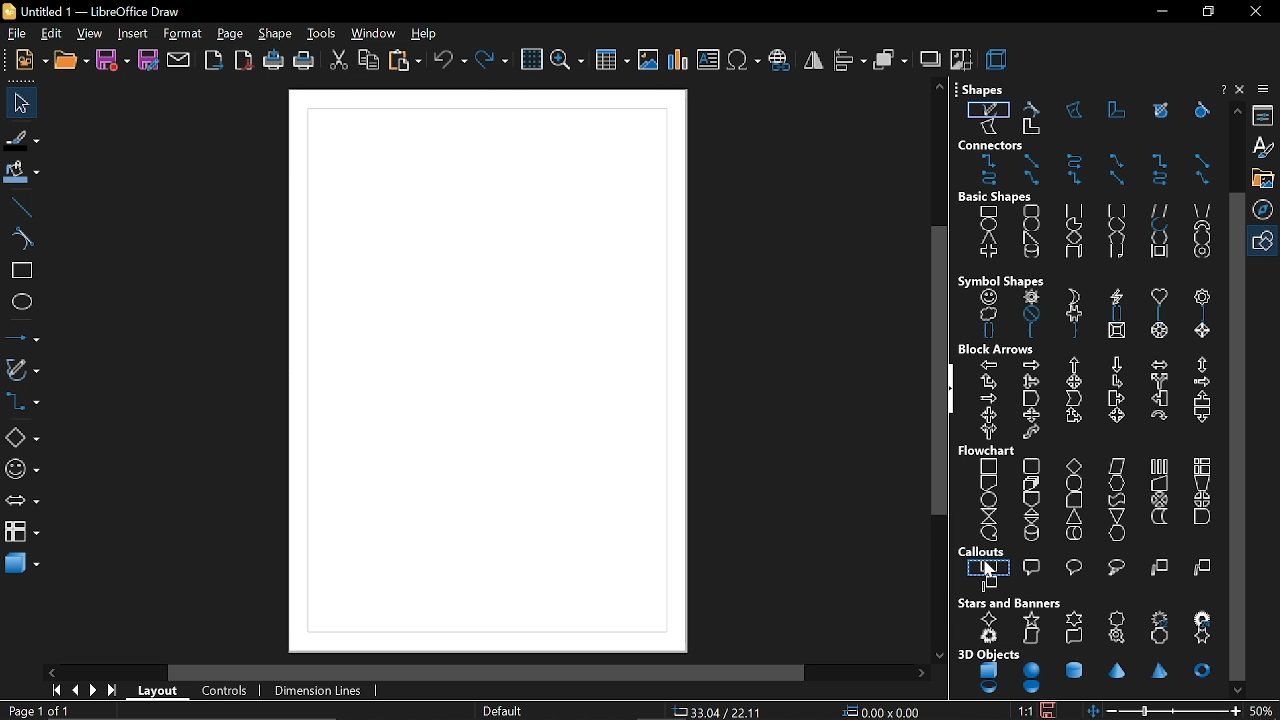 This screenshot has width=1280, height=720. I want to click on striped right arrow, so click(1202, 382).